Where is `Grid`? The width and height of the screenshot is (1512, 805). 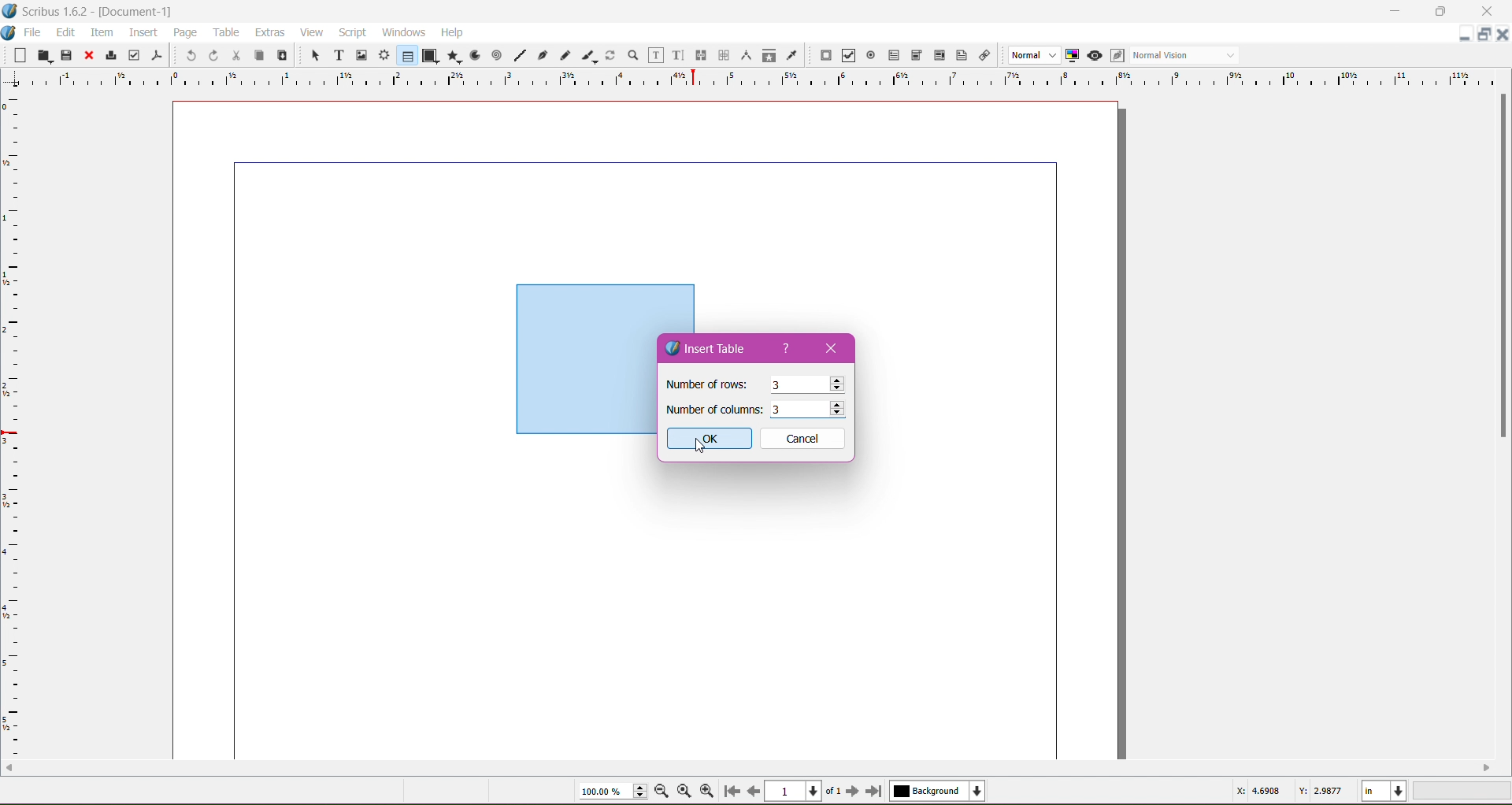 Grid is located at coordinates (20, 426).